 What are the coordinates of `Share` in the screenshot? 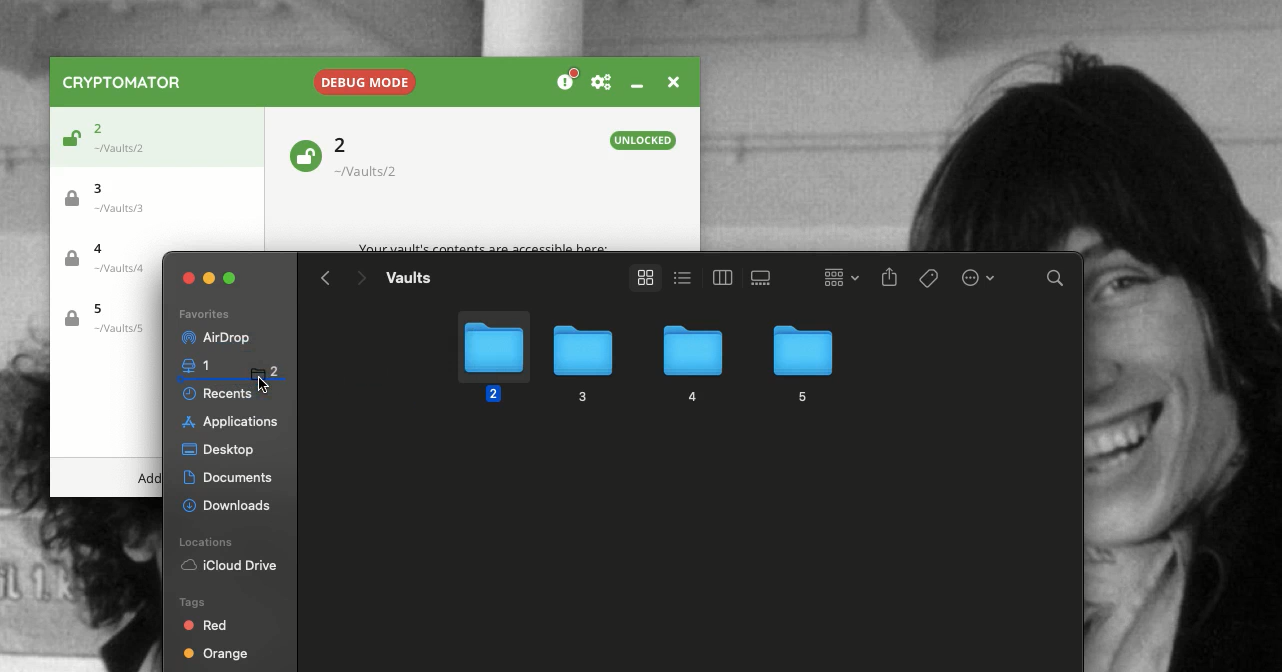 It's located at (890, 279).